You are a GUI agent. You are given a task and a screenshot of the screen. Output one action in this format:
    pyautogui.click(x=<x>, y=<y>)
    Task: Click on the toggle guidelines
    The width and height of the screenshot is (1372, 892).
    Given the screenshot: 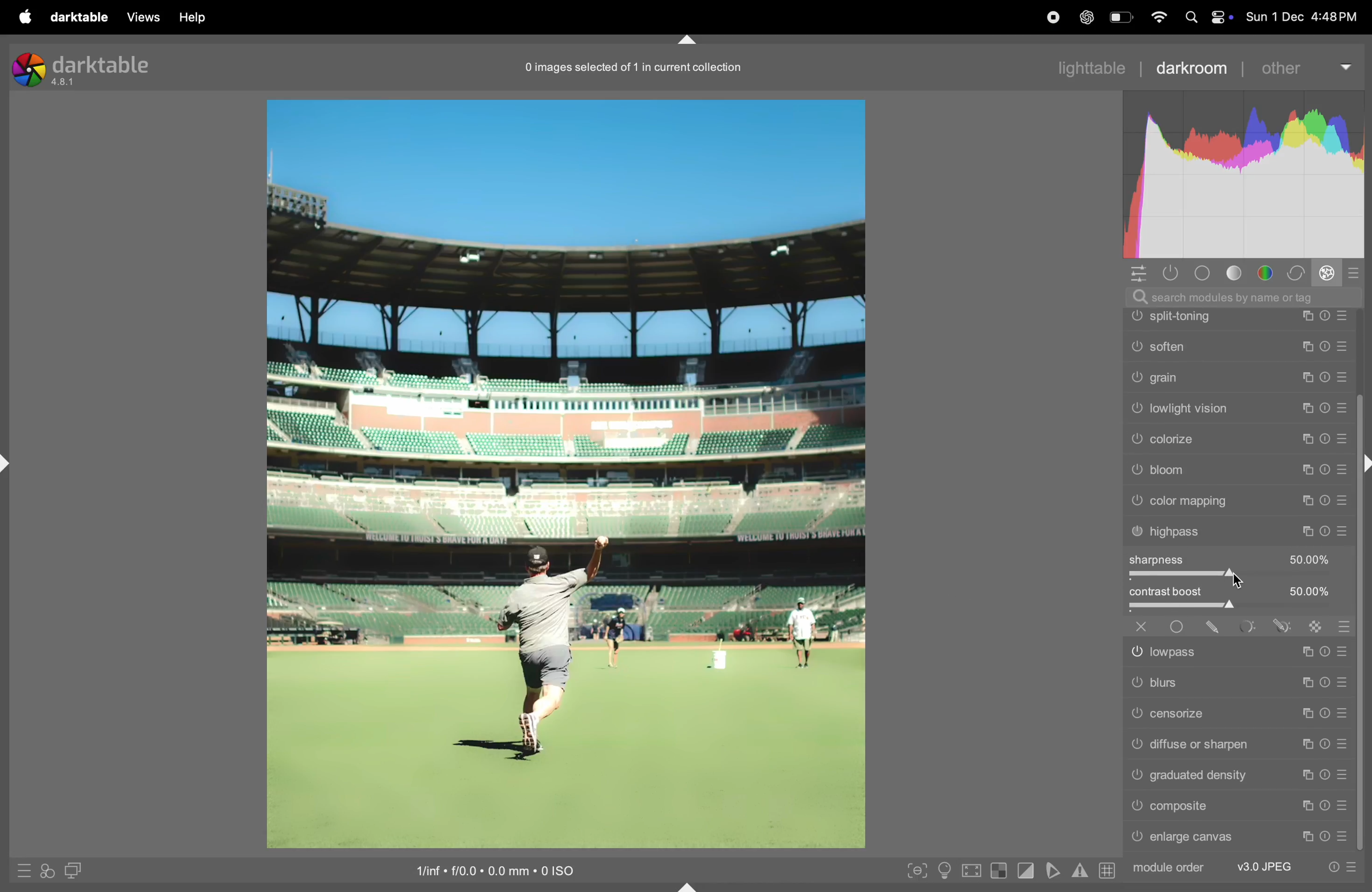 What is the action you would take?
    pyautogui.click(x=1107, y=870)
    